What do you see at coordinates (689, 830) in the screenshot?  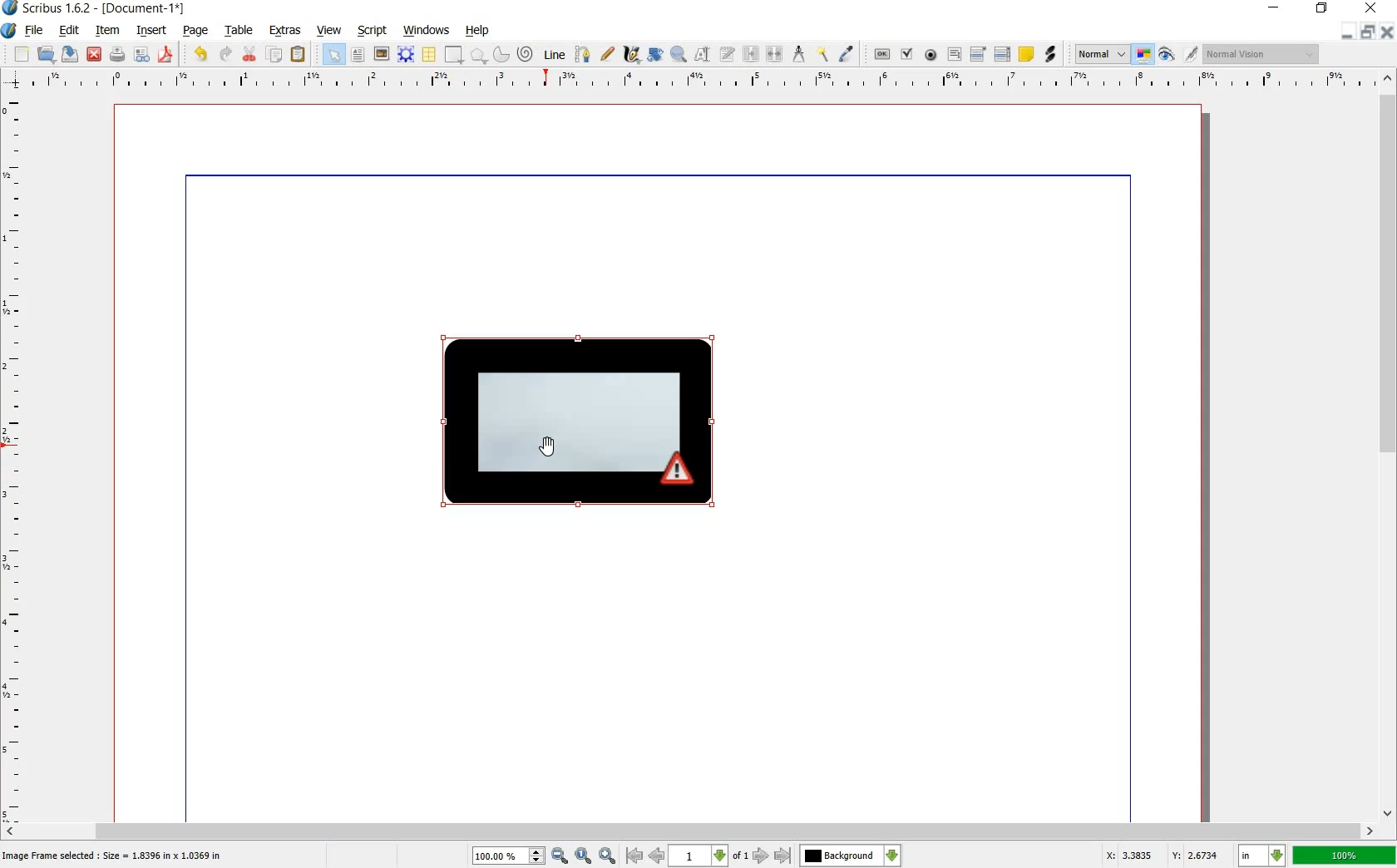 I see `scrollbar` at bounding box center [689, 830].